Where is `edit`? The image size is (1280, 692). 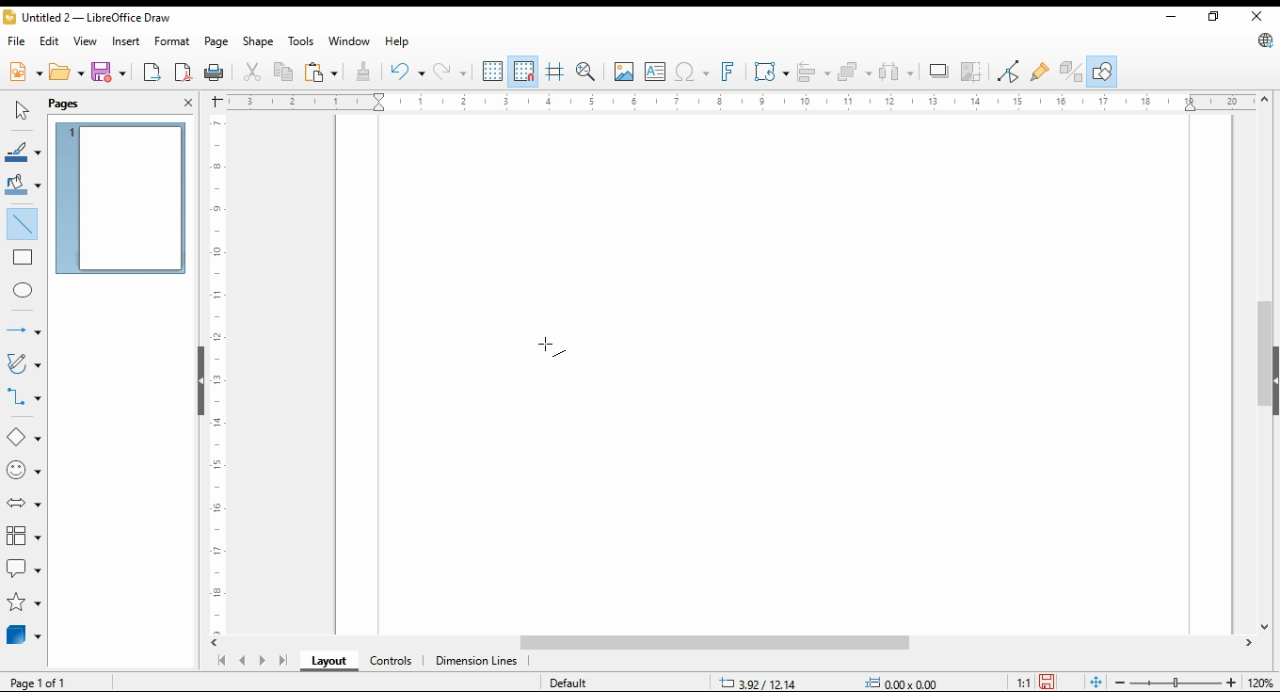
edit is located at coordinates (48, 39).